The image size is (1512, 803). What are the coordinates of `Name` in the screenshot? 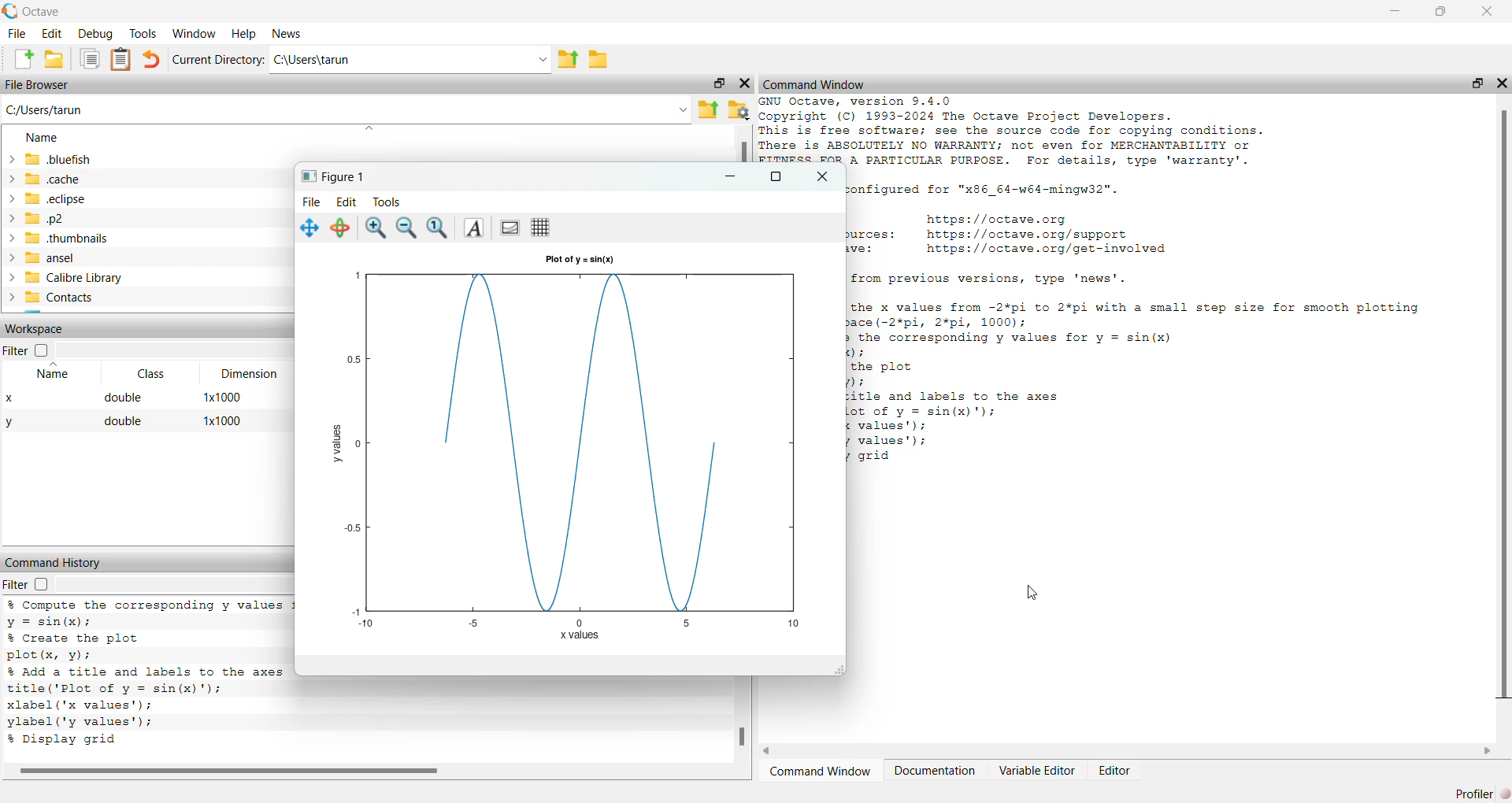 It's located at (41, 137).